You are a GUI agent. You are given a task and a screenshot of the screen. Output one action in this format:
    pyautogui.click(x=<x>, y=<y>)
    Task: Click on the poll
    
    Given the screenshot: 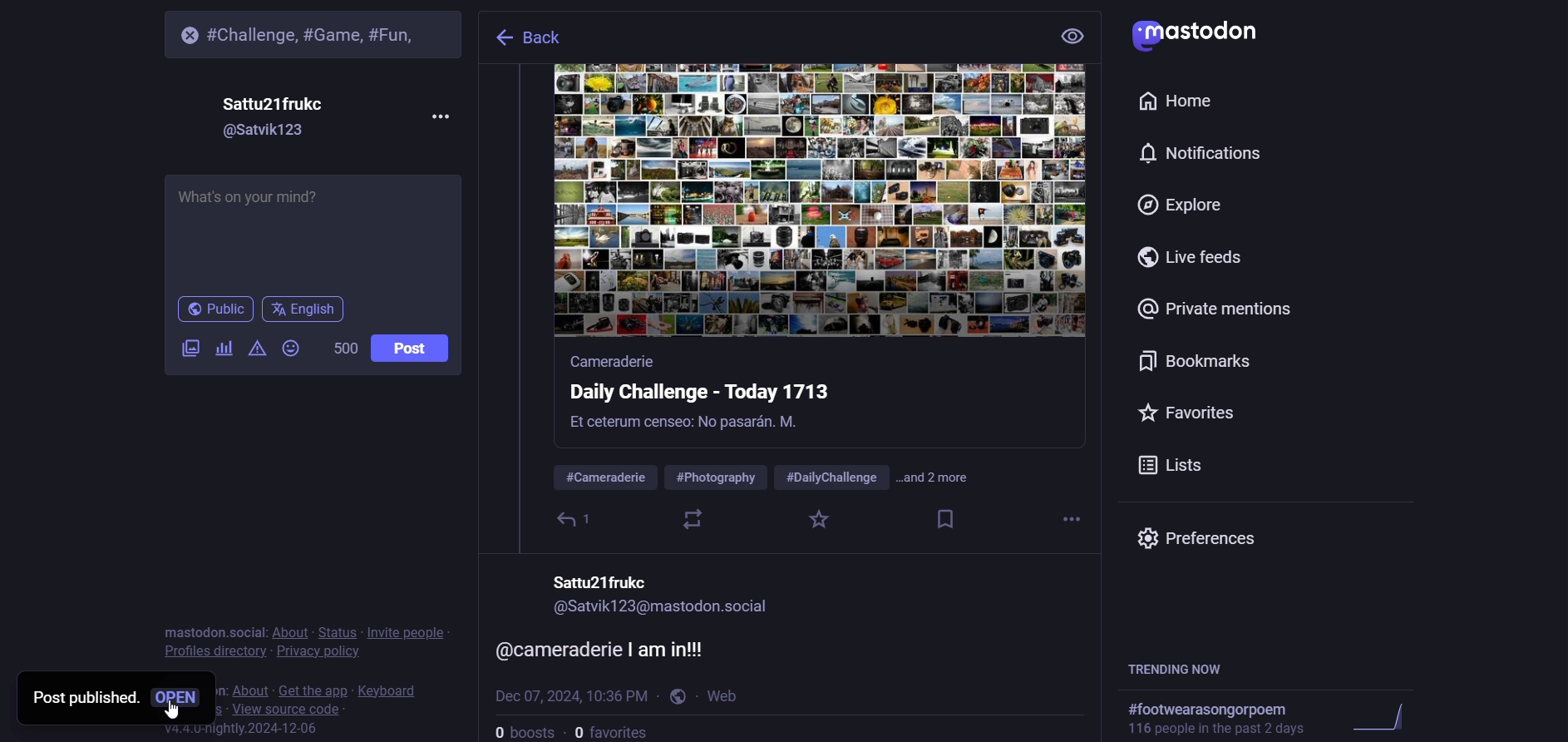 What is the action you would take?
    pyautogui.click(x=222, y=350)
    